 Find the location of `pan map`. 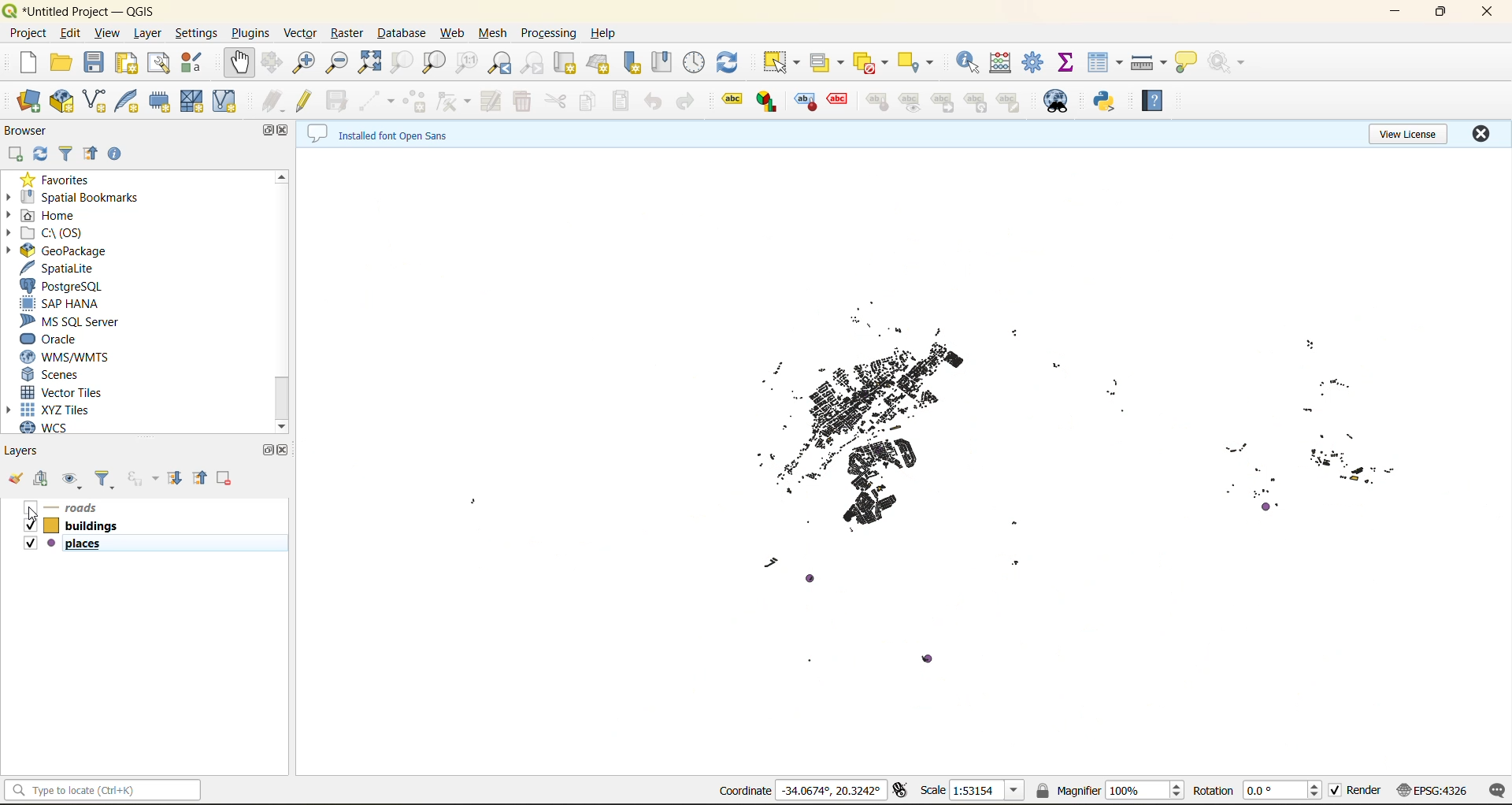

pan map is located at coordinates (242, 64).